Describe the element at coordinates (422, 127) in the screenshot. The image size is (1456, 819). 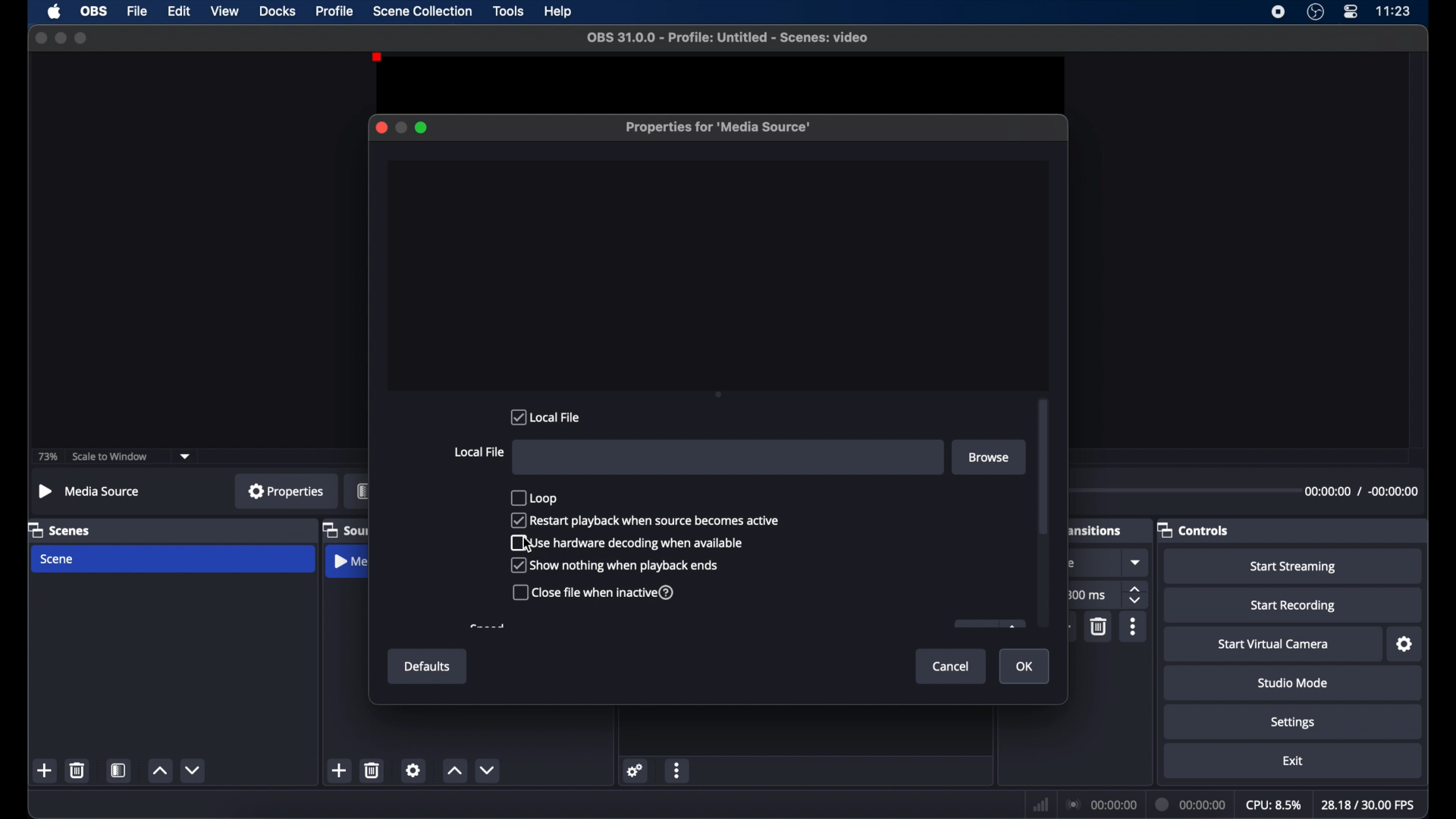
I see `maximize` at that location.